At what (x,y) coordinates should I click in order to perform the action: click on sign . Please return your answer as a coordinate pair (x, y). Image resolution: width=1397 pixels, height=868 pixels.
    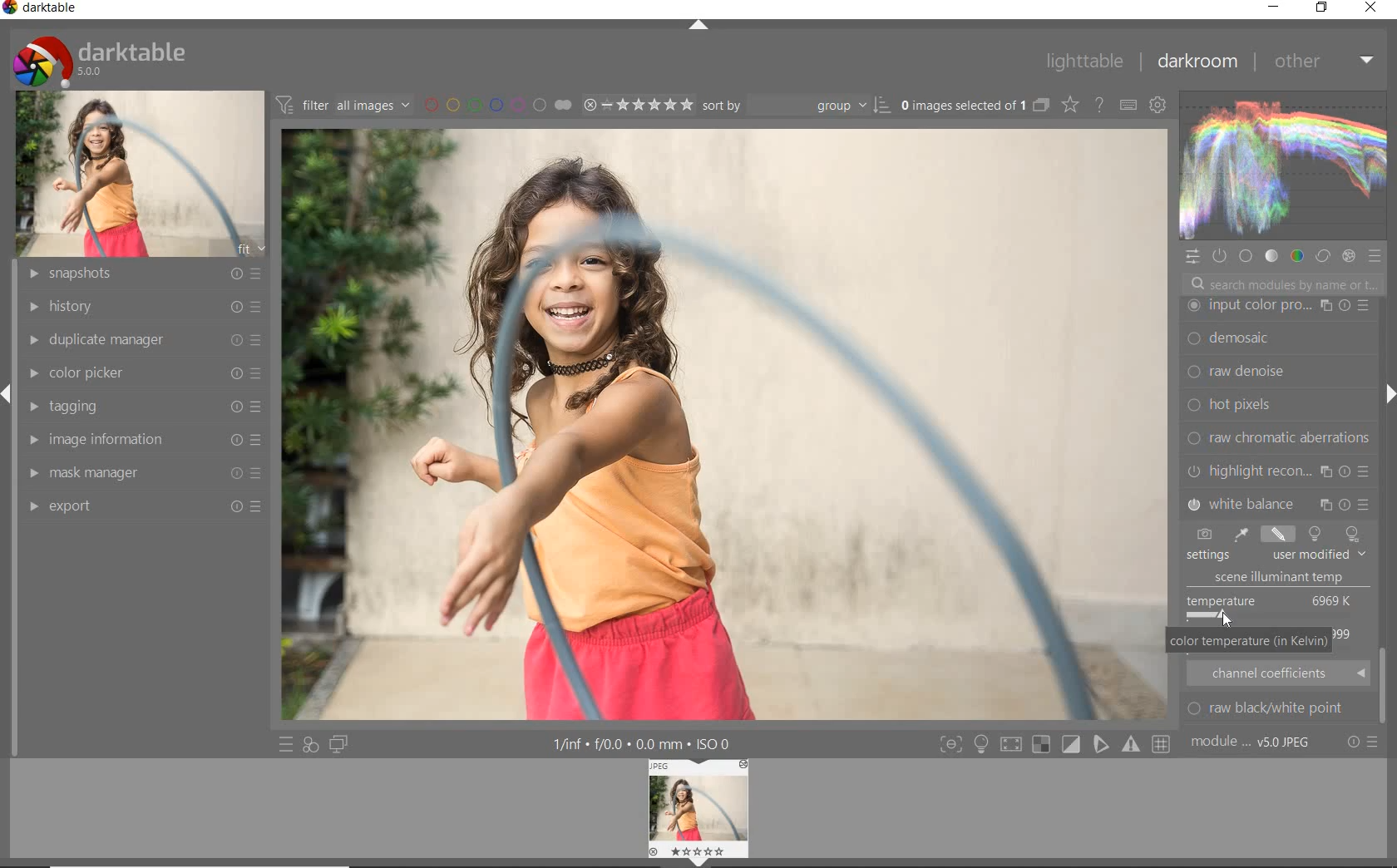
    Looking at the image, I should click on (980, 744).